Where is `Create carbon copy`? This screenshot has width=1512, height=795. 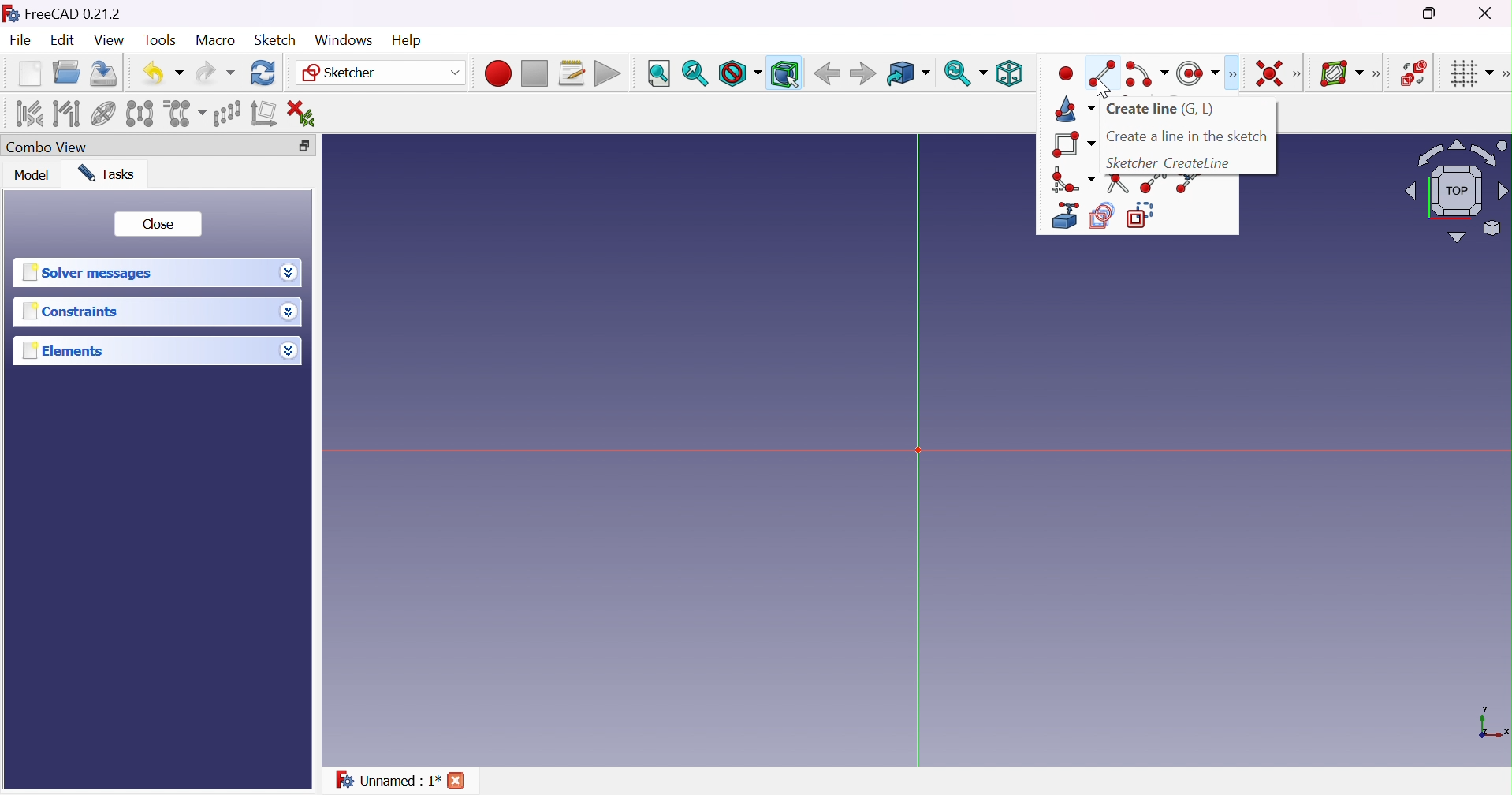 Create carbon copy is located at coordinates (1101, 216).